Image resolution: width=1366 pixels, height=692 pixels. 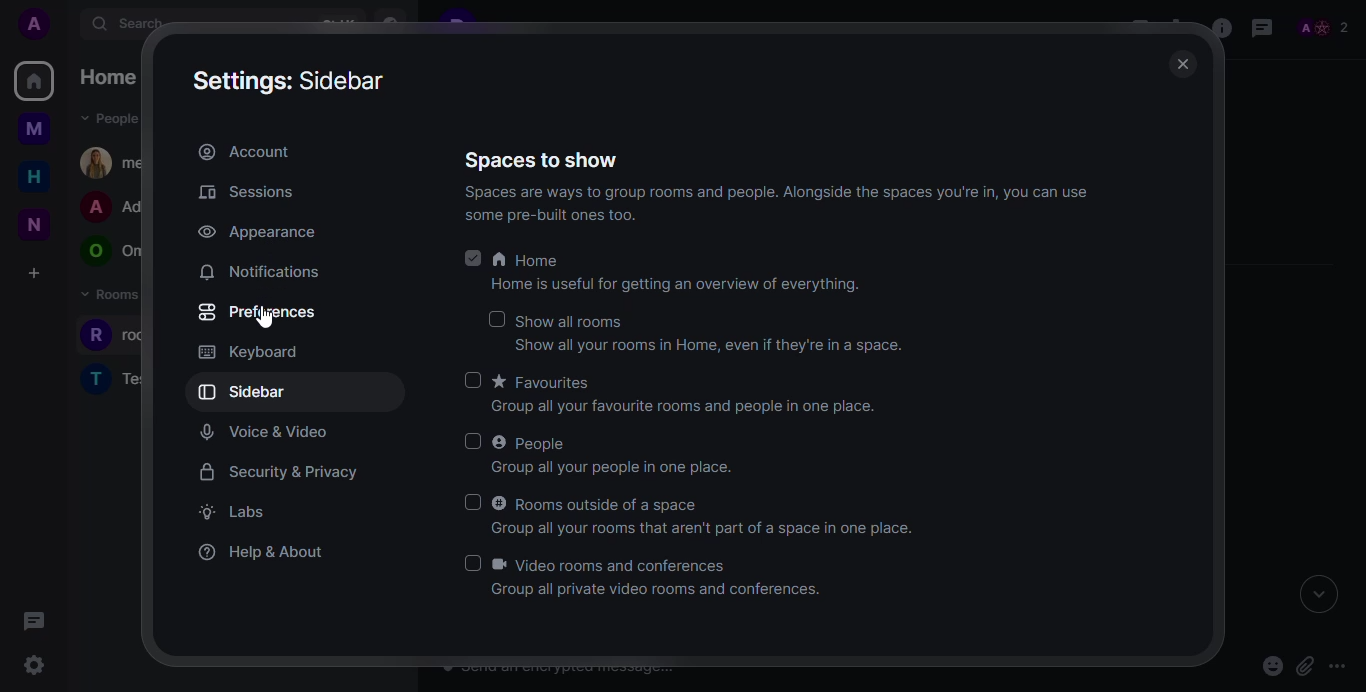 What do you see at coordinates (265, 432) in the screenshot?
I see `voice video` at bounding box center [265, 432].